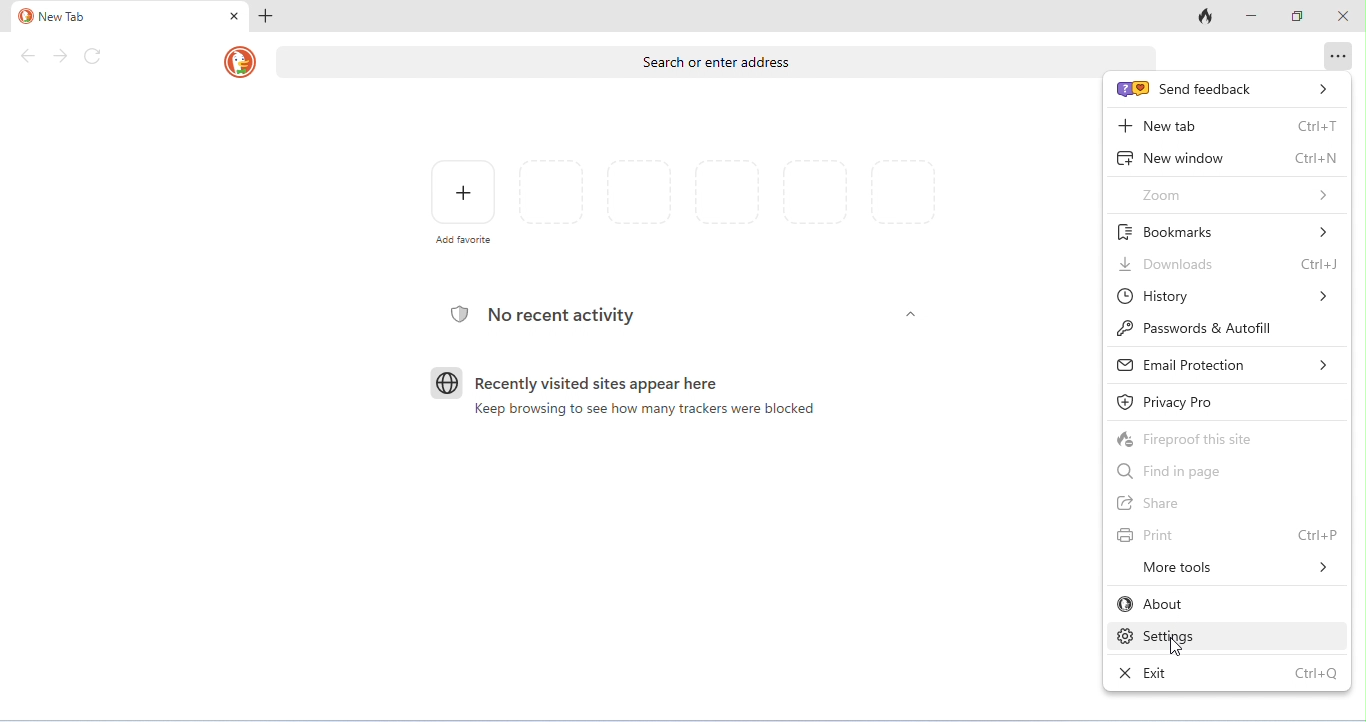 The image size is (1366, 722). I want to click on close, so click(231, 16).